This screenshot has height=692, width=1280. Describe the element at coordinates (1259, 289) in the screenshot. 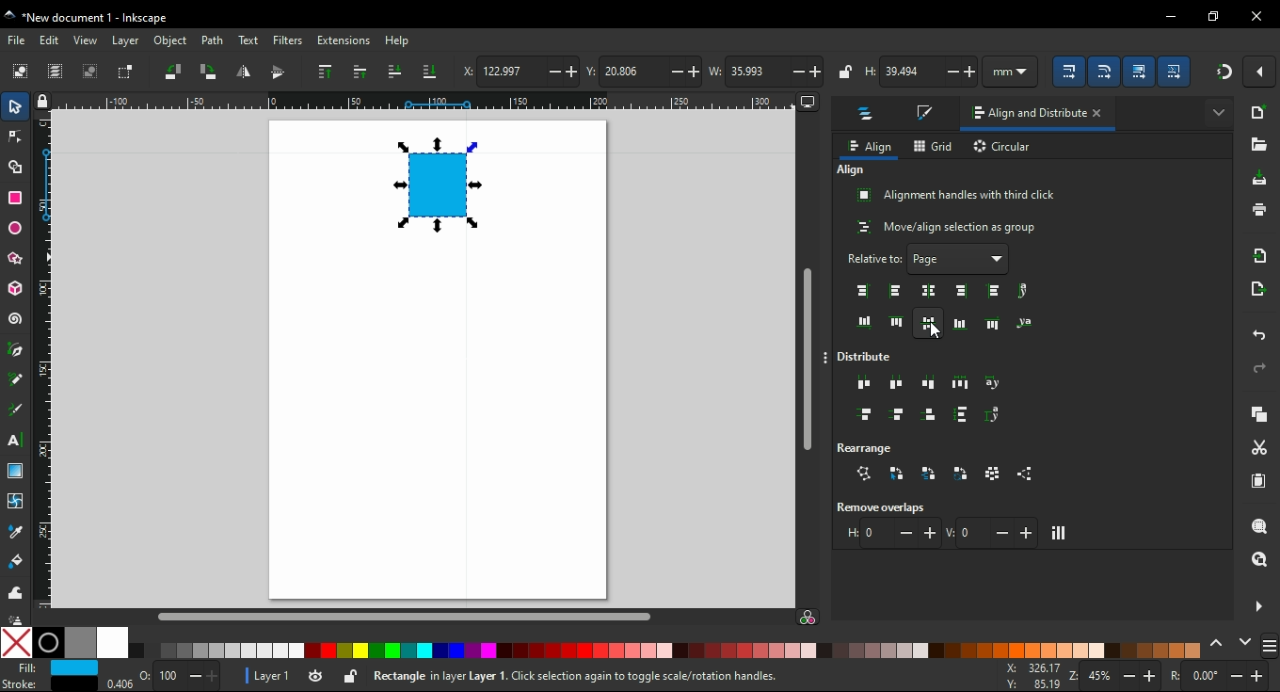

I see `open export` at that location.